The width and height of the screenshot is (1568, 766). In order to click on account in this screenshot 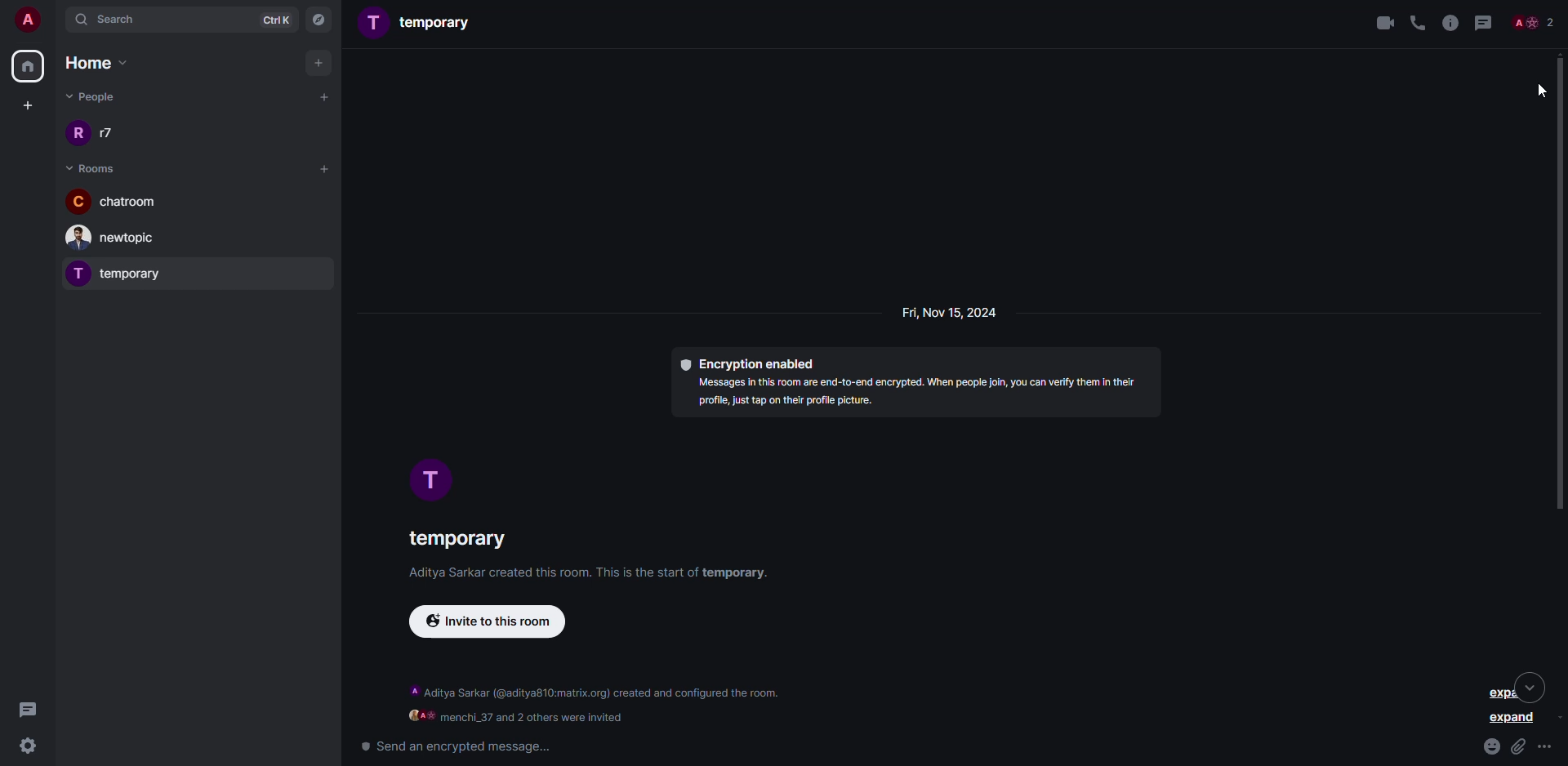, I will do `click(26, 19)`.